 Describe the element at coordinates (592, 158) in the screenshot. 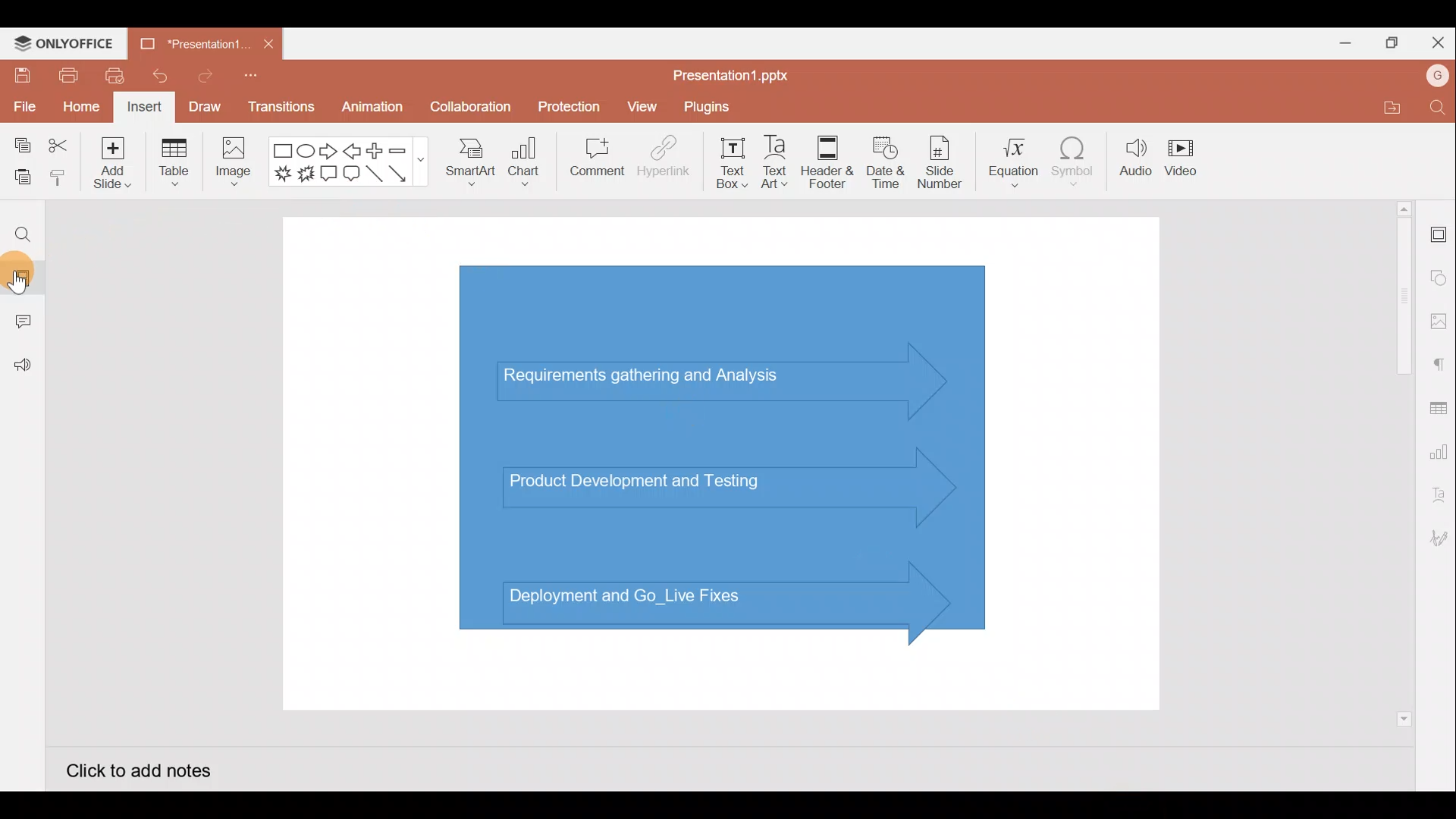

I see `Comment` at that location.